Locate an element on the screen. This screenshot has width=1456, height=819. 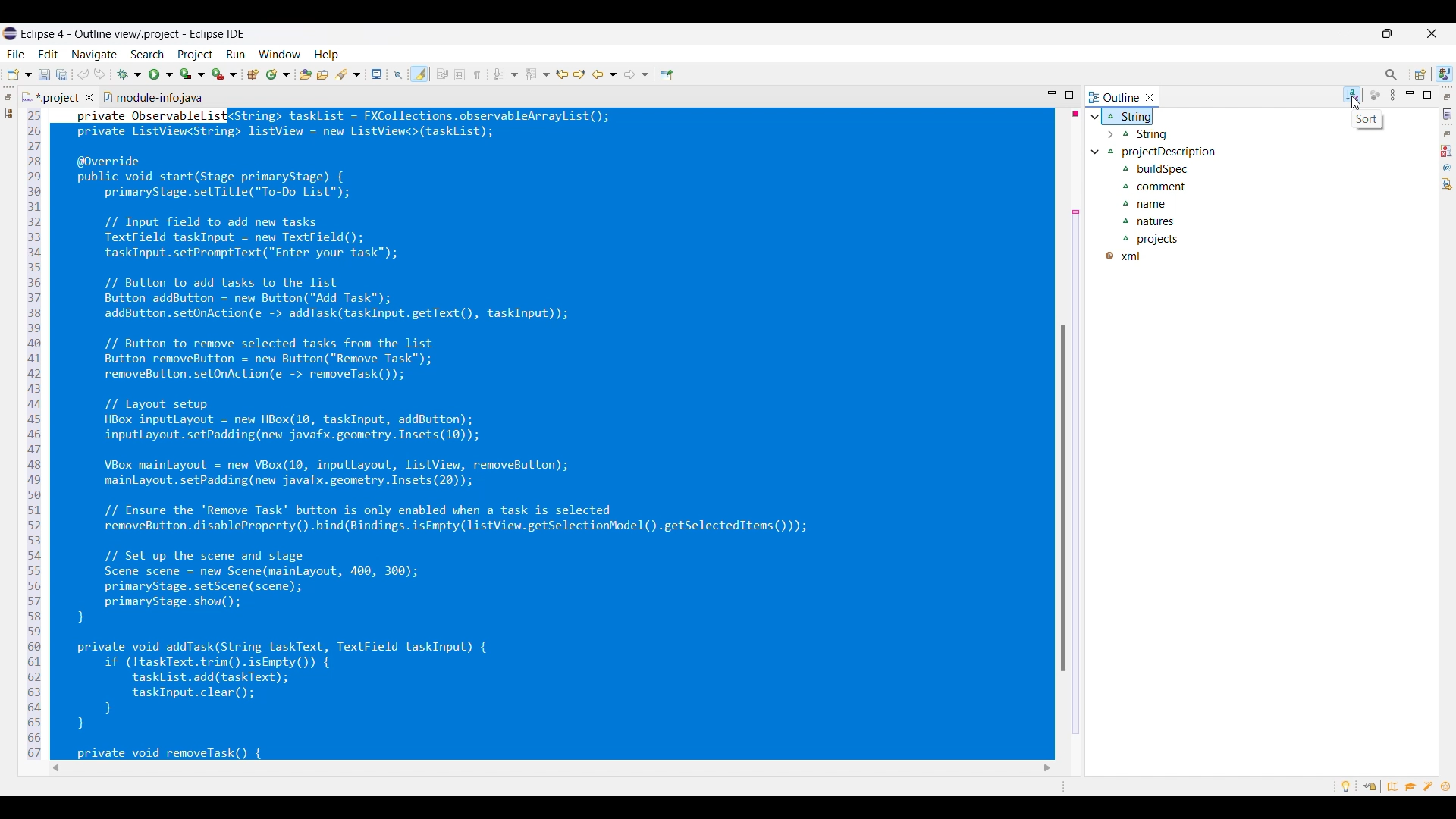
Open a terminal is located at coordinates (377, 74).